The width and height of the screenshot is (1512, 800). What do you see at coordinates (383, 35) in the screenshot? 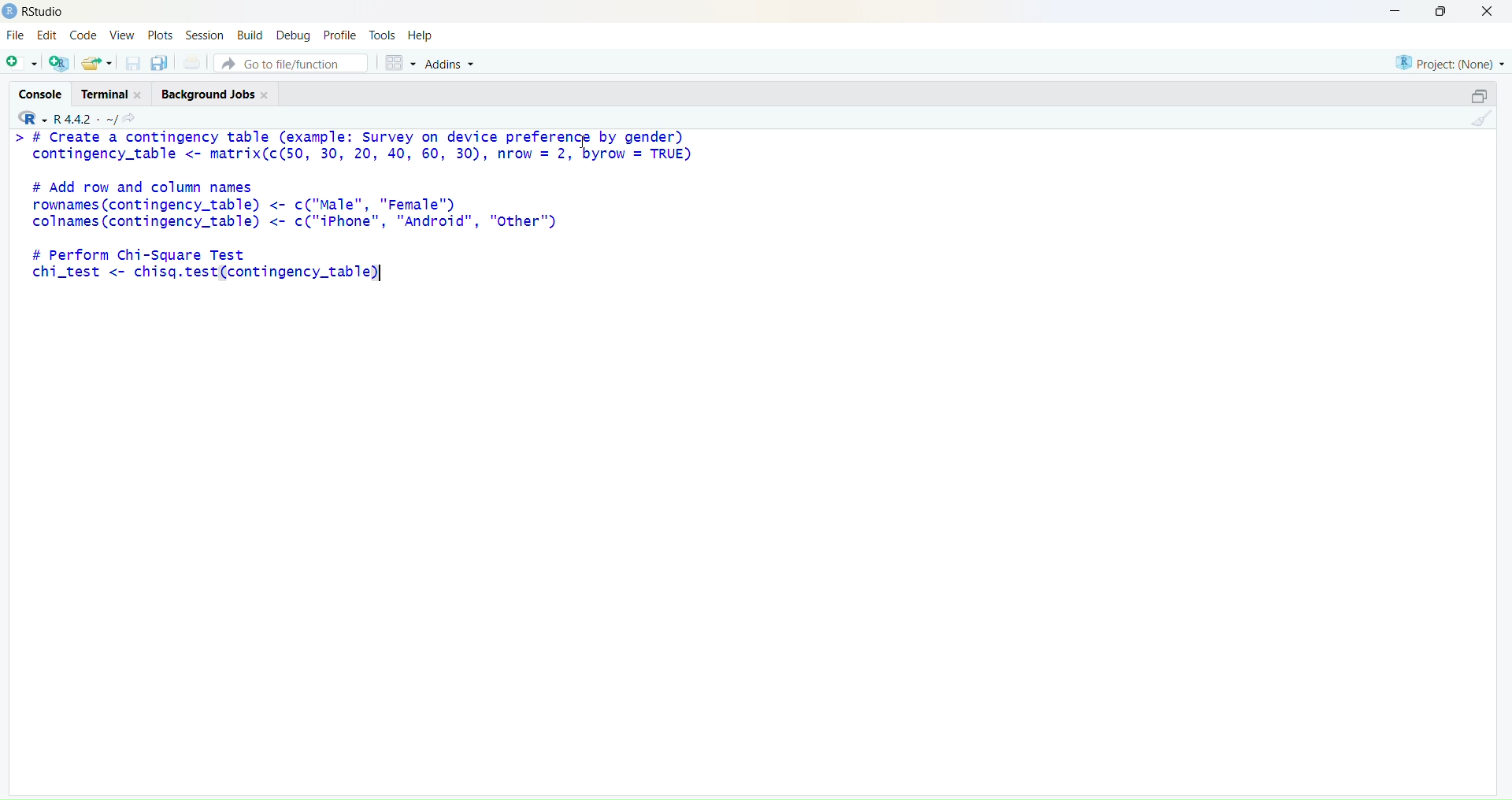
I see `Tools` at bounding box center [383, 35].